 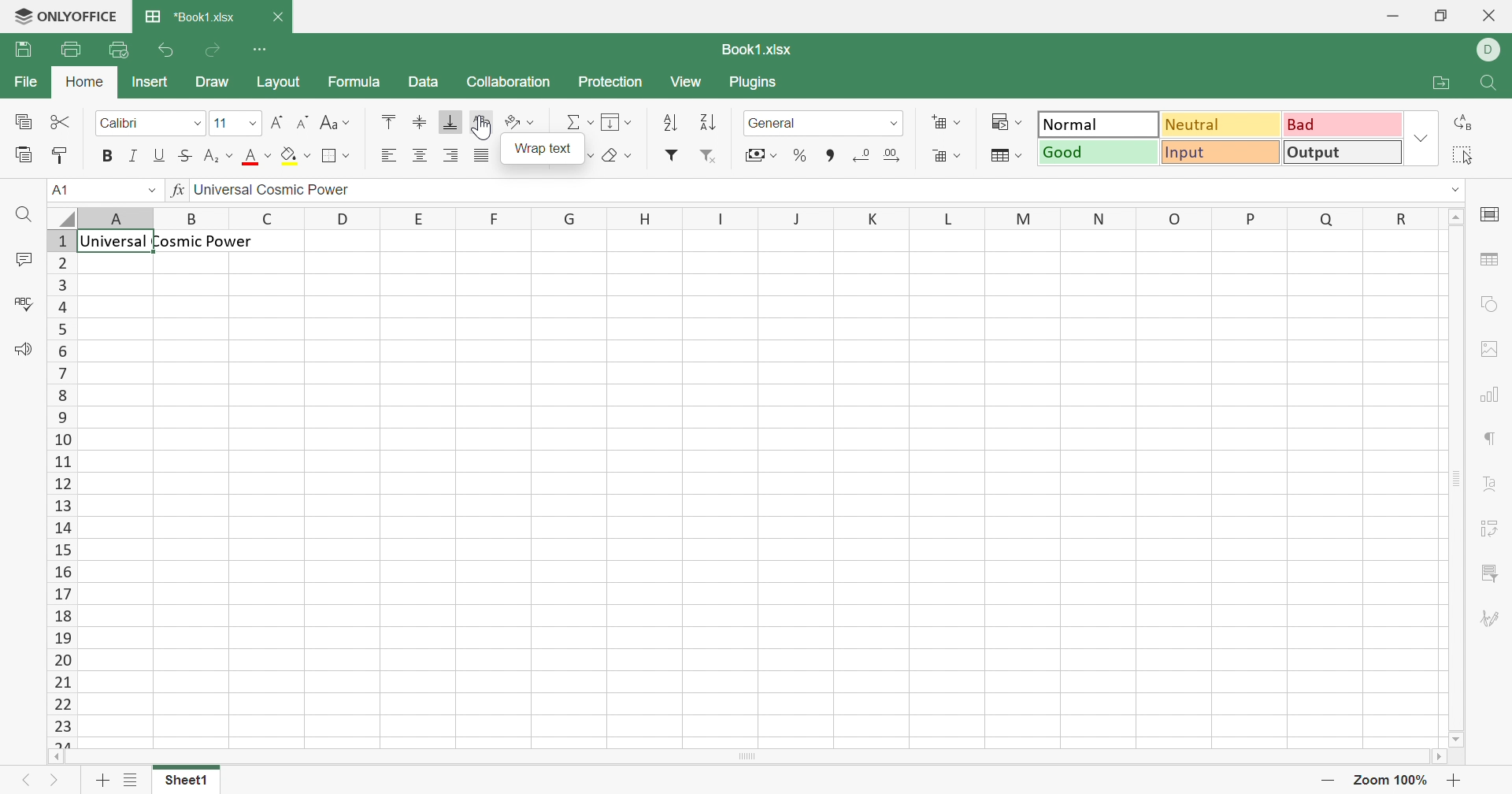 What do you see at coordinates (613, 82) in the screenshot?
I see `Protection` at bounding box center [613, 82].